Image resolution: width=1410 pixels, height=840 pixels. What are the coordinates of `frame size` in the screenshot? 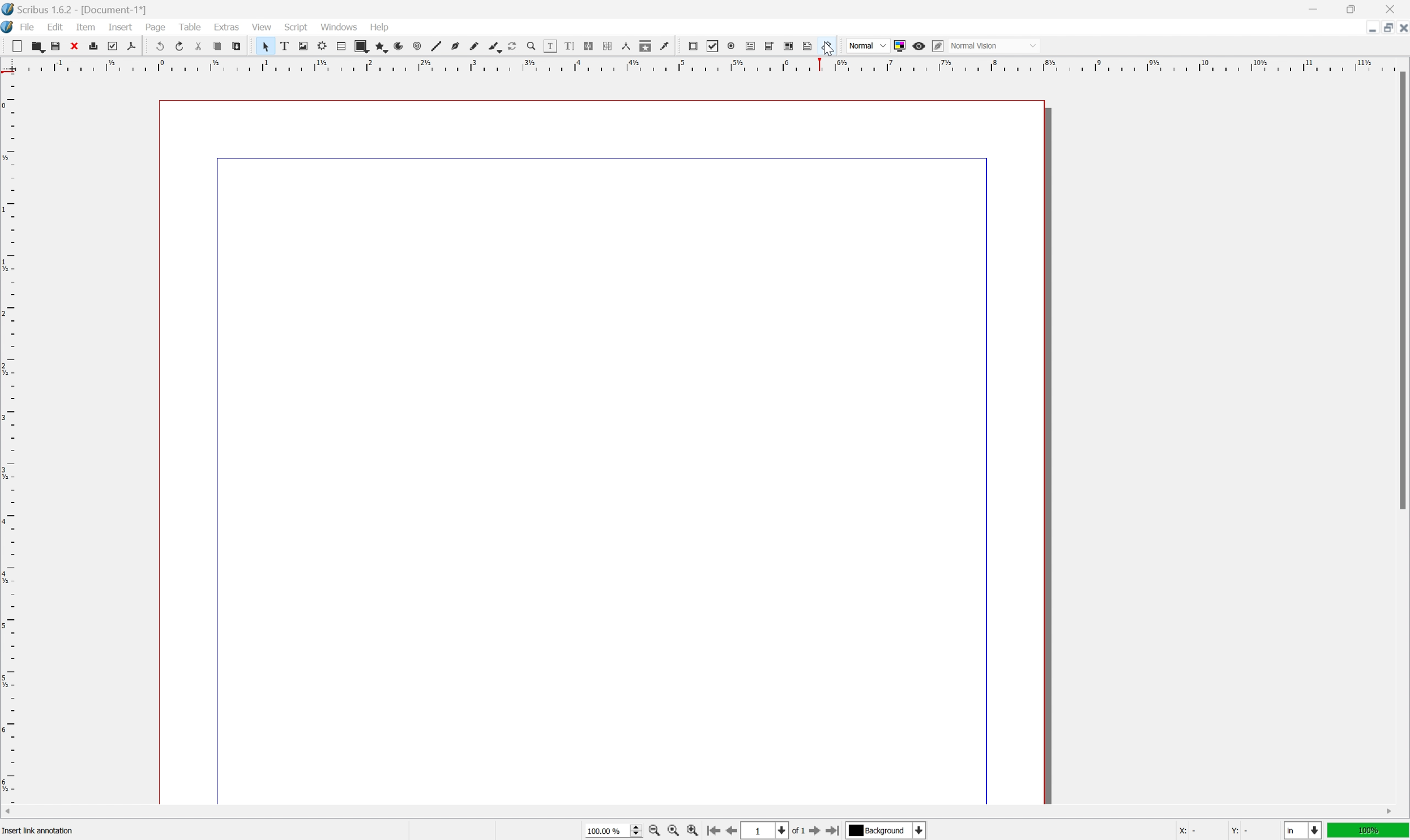 It's located at (44, 832).